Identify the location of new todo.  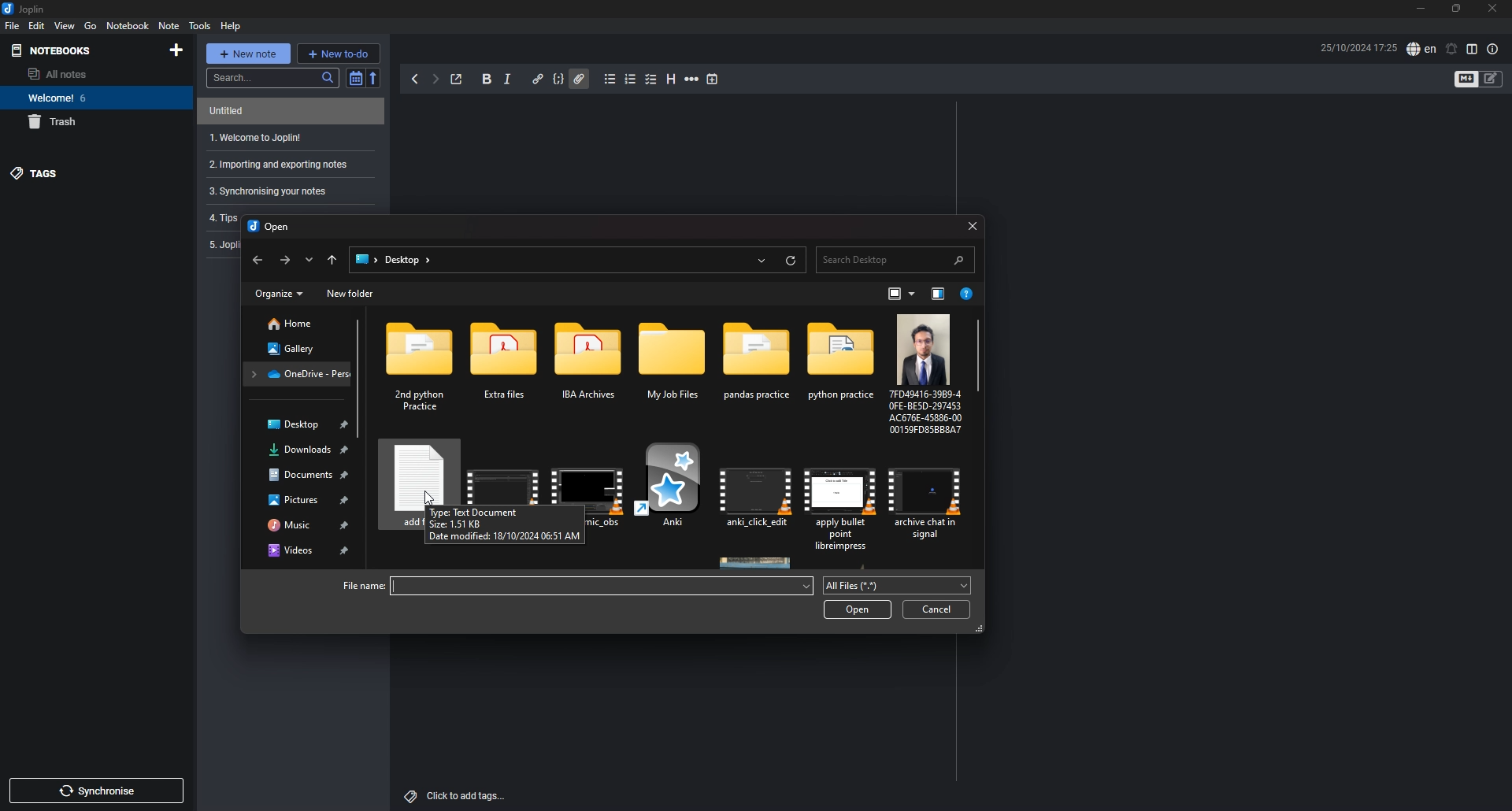
(338, 53).